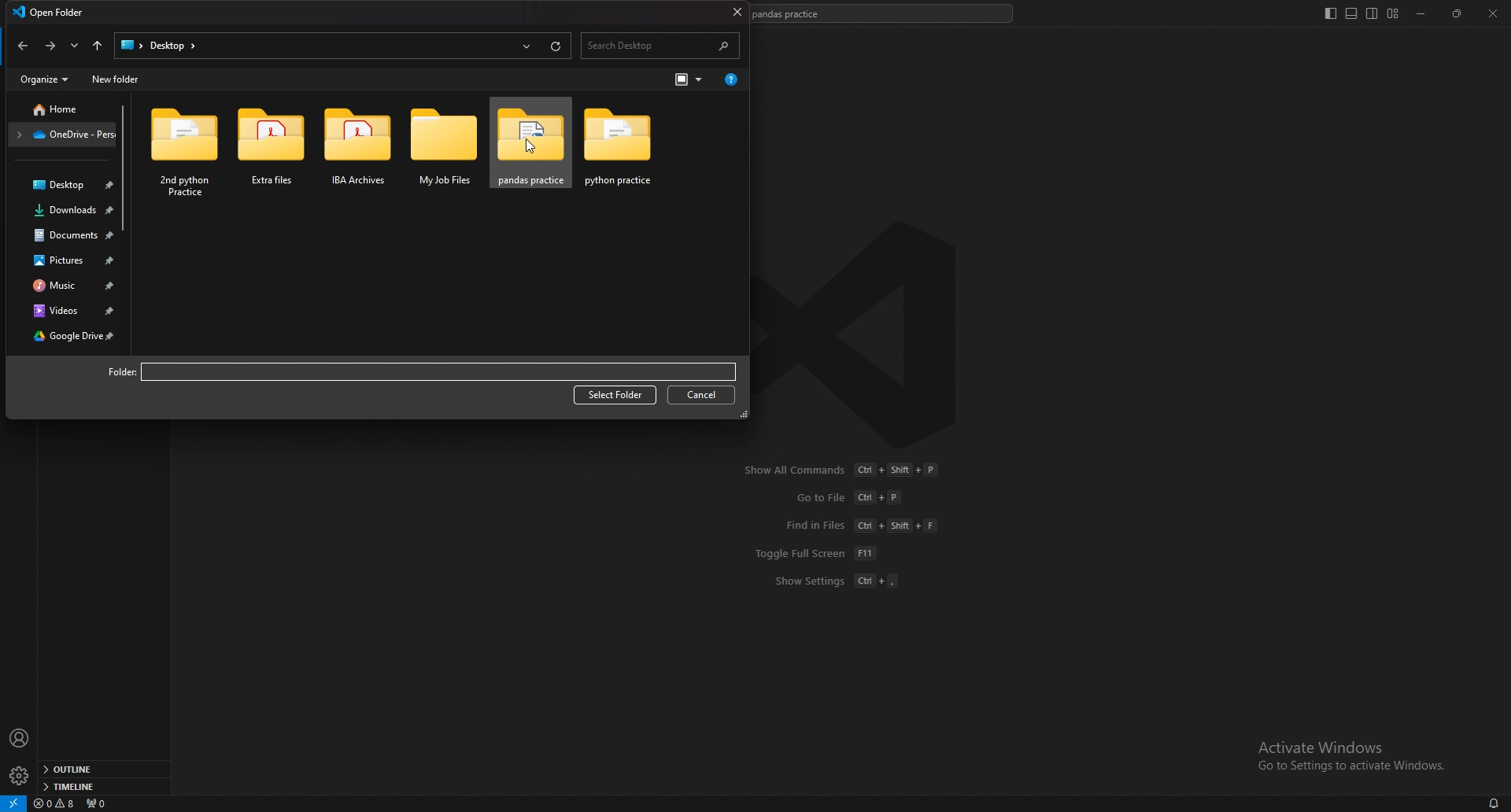 Image resolution: width=1511 pixels, height=812 pixels. What do you see at coordinates (1459, 13) in the screenshot?
I see `resize` at bounding box center [1459, 13].